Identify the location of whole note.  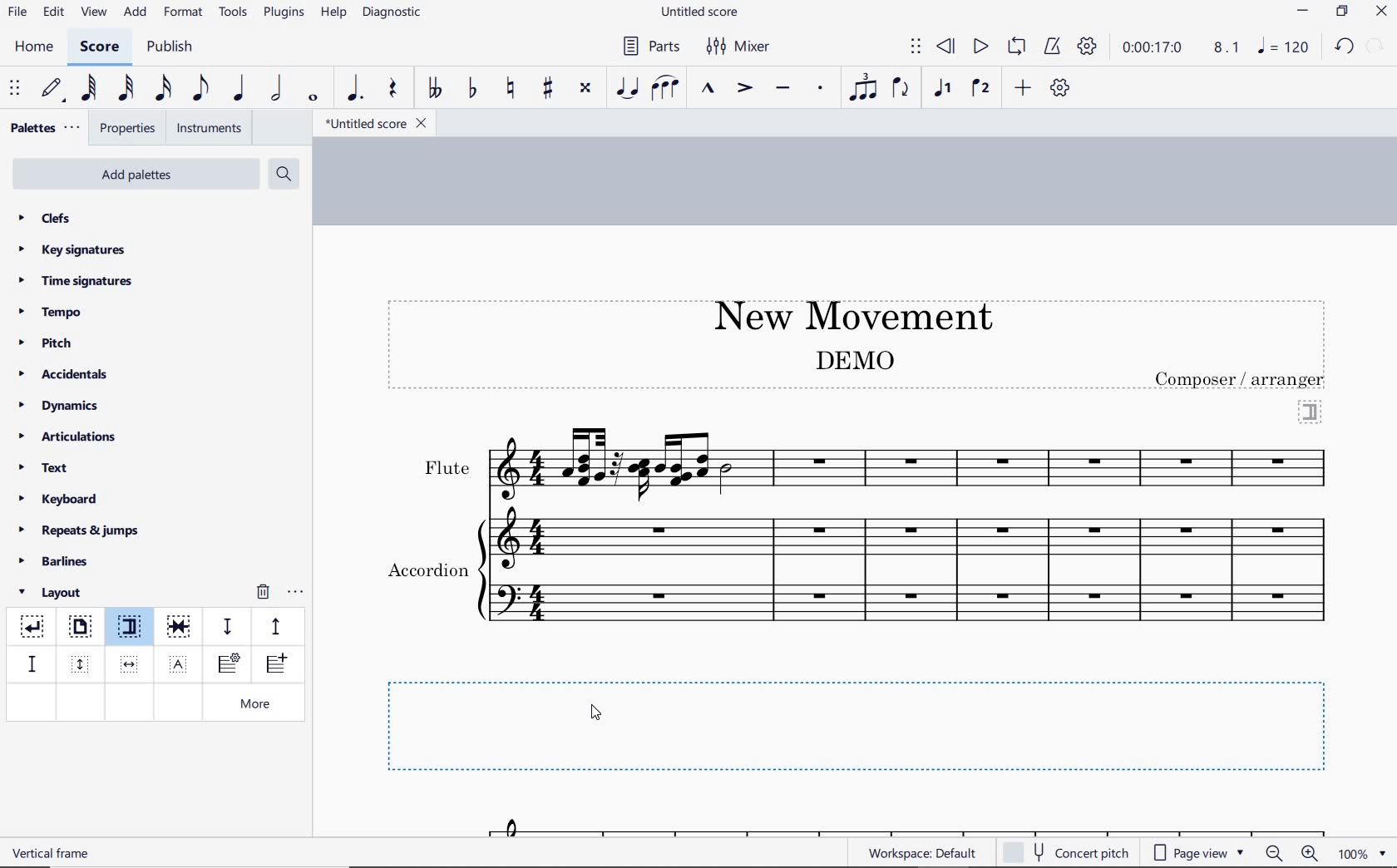
(314, 97).